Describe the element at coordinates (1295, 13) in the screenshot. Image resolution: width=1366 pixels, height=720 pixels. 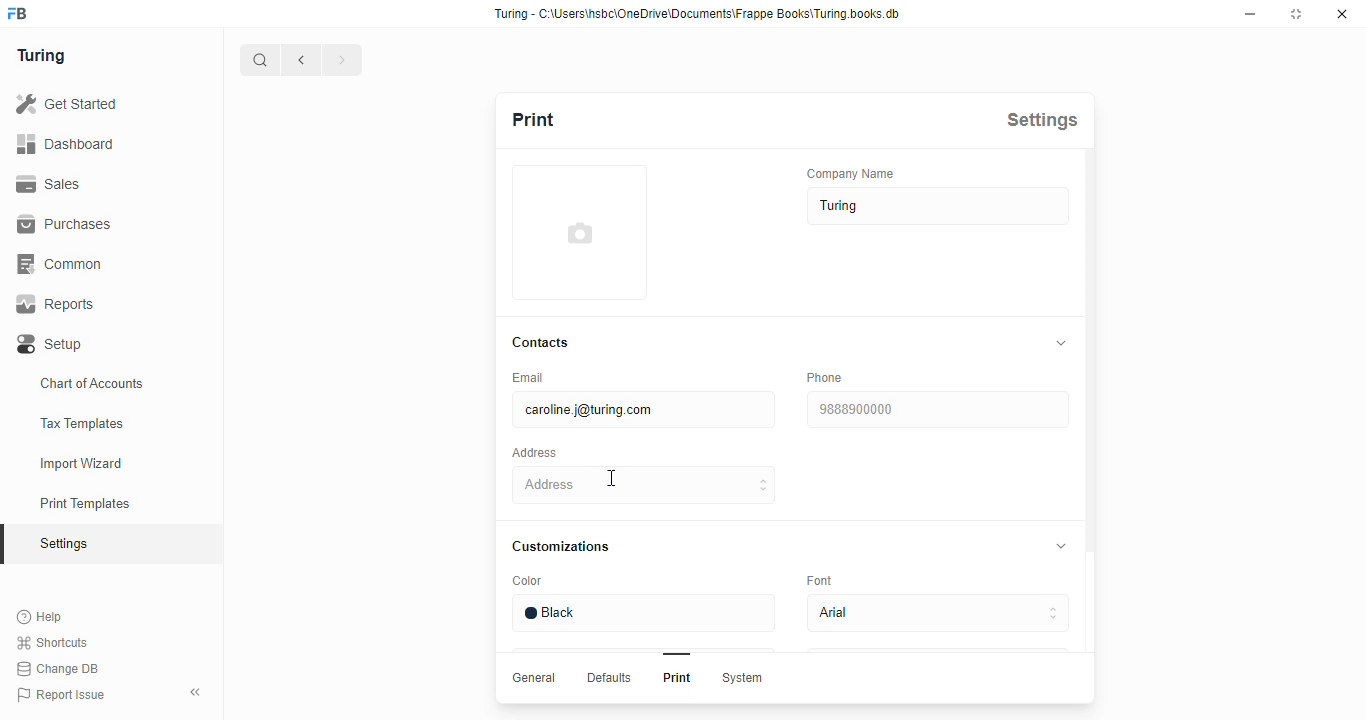
I see `toggle maximize` at that location.